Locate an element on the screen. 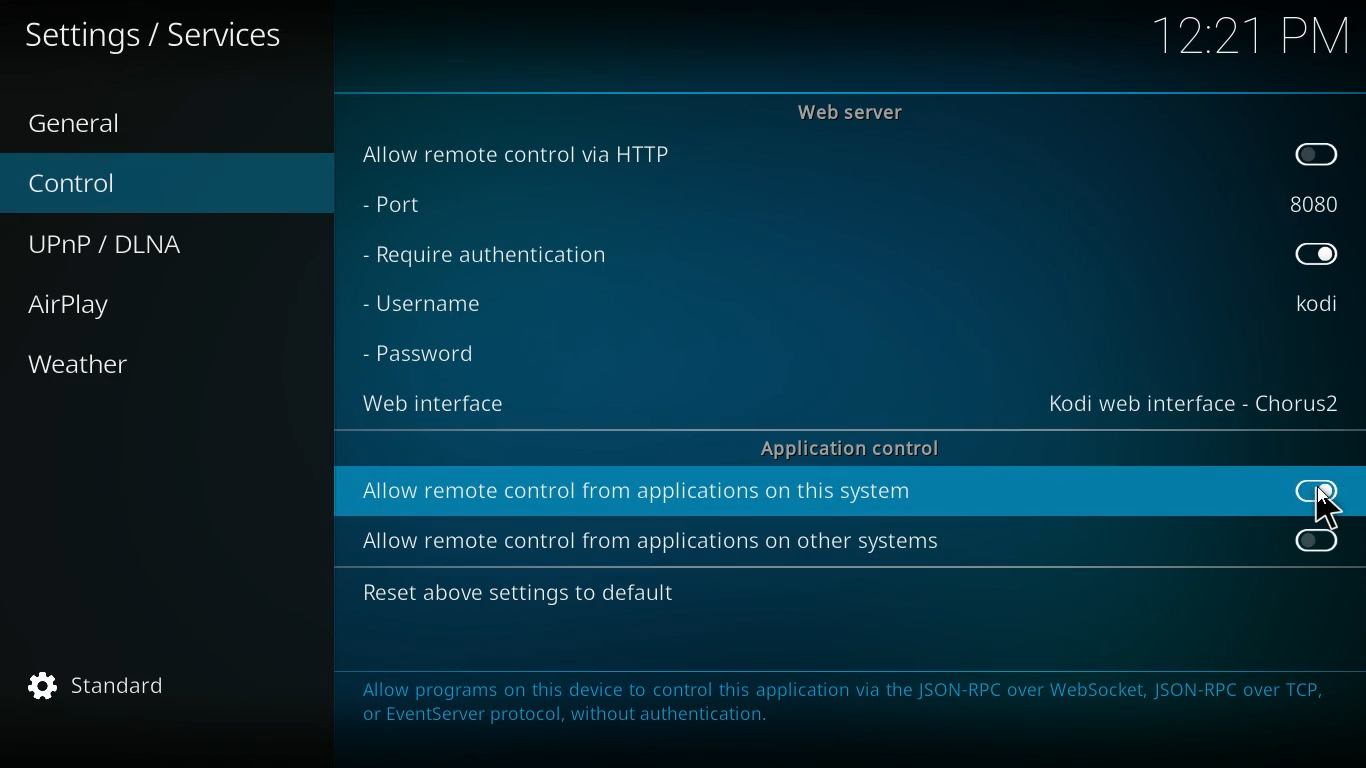  weather is located at coordinates (170, 365).